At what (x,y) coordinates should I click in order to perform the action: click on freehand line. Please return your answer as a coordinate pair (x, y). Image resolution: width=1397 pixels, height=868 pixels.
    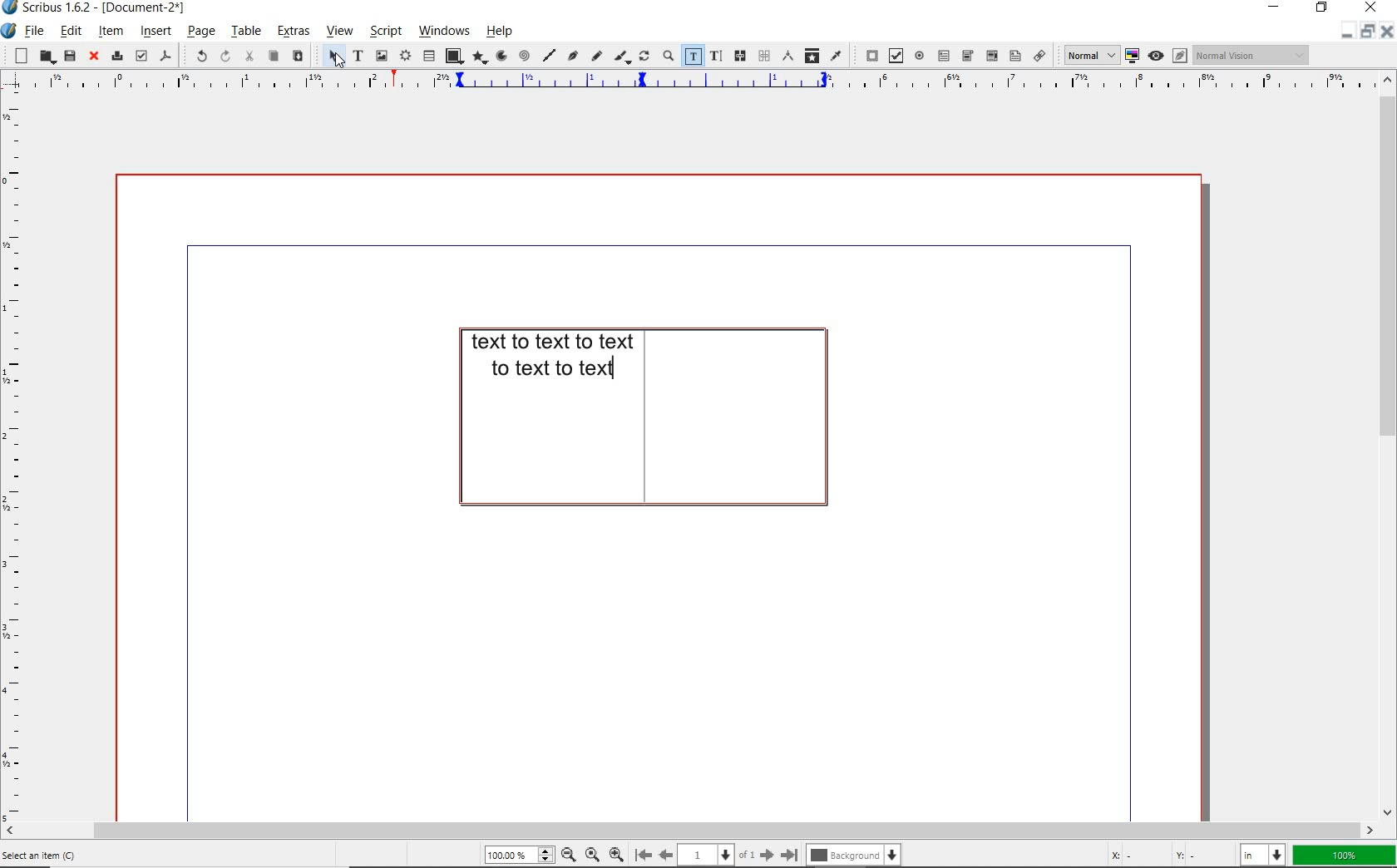
    Looking at the image, I should click on (595, 55).